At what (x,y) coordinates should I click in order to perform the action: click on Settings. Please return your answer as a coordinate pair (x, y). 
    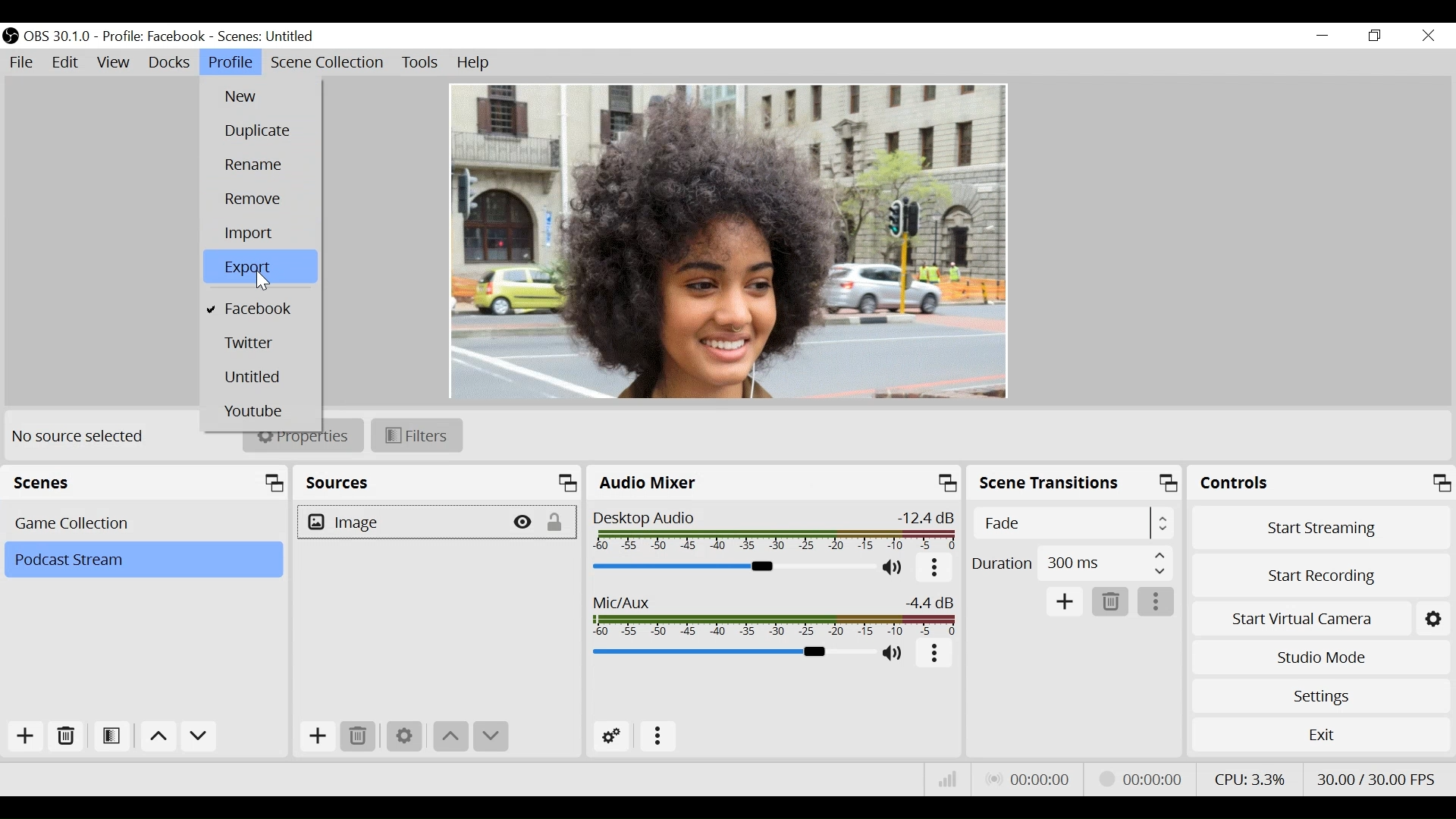
    Looking at the image, I should click on (406, 738).